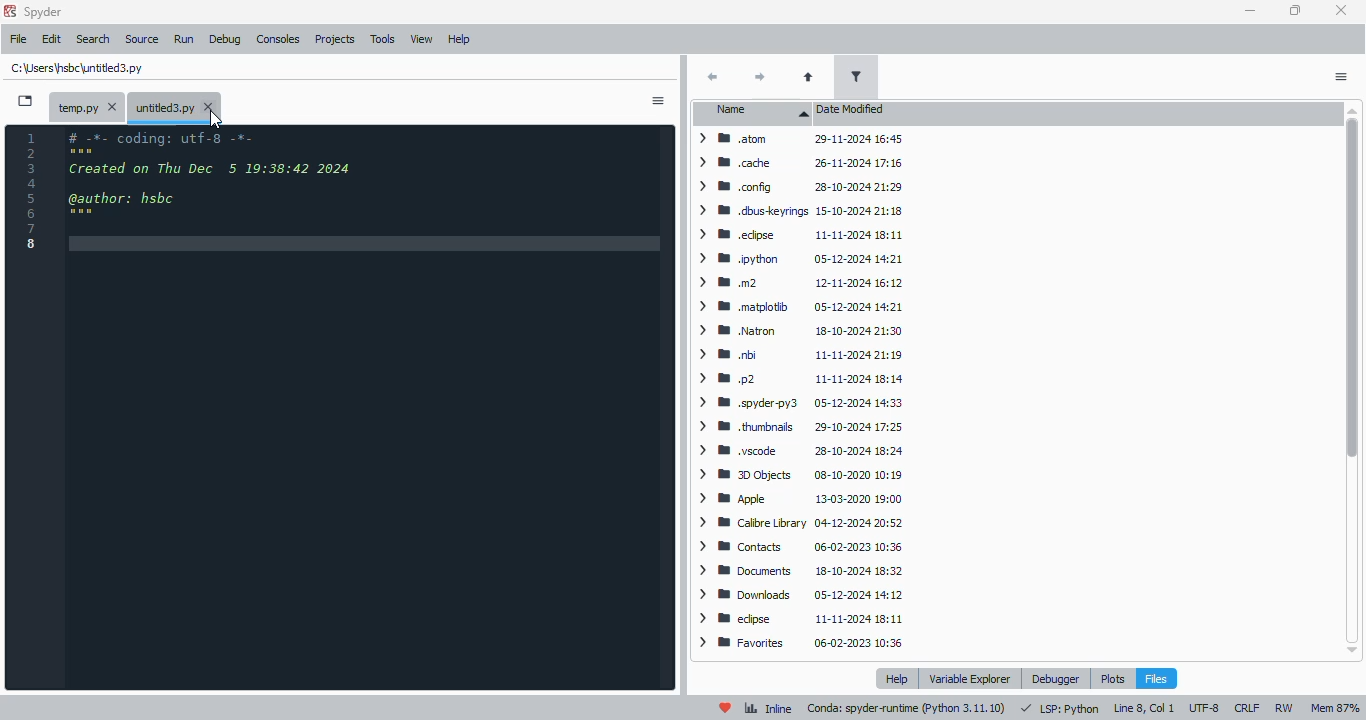 The image size is (1366, 720). What do you see at coordinates (1204, 707) in the screenshot?
I see `UTF-8` at bounding box center [1204, 707].